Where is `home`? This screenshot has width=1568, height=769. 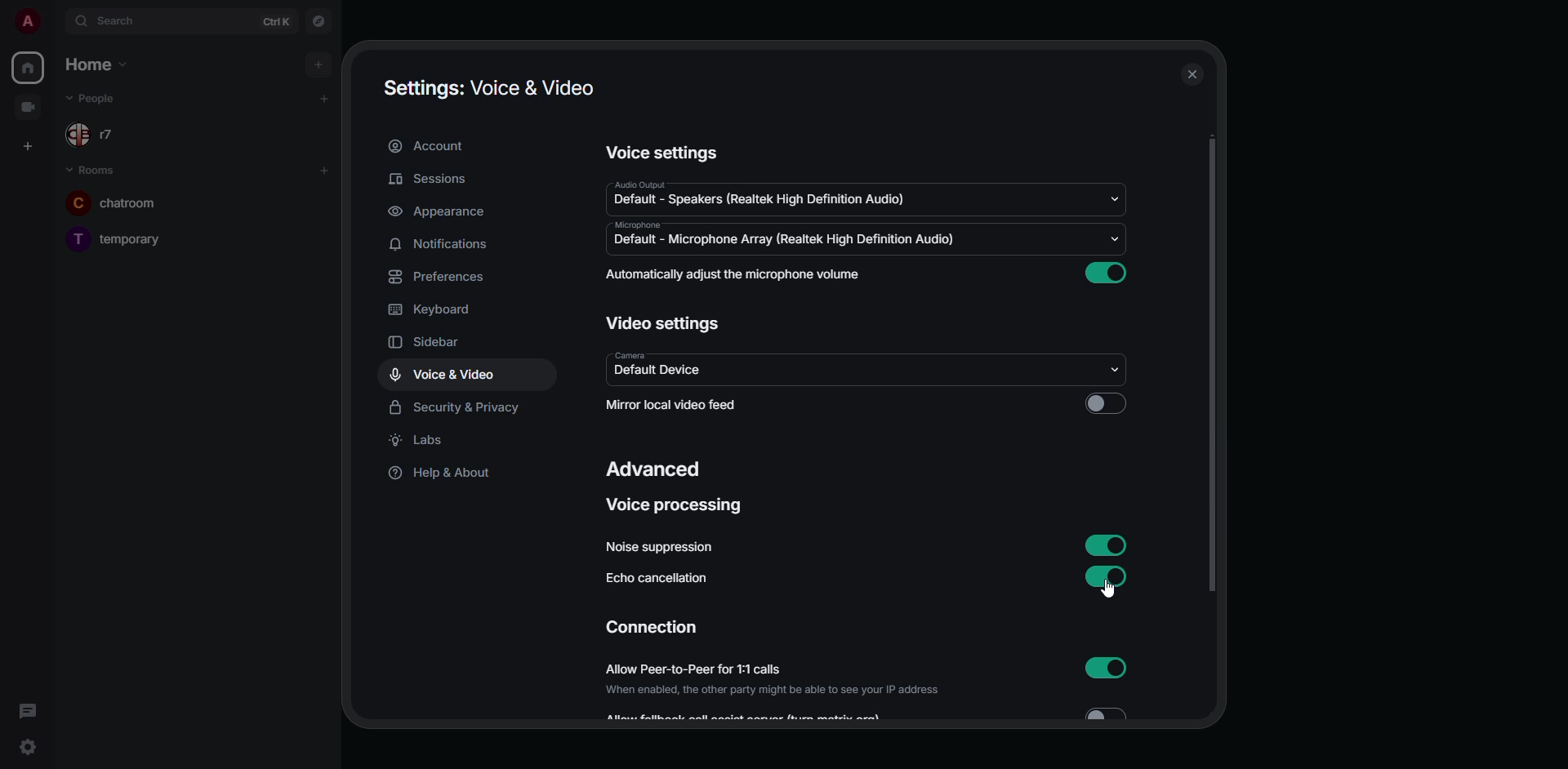 home is located at coordinates (96, 62).